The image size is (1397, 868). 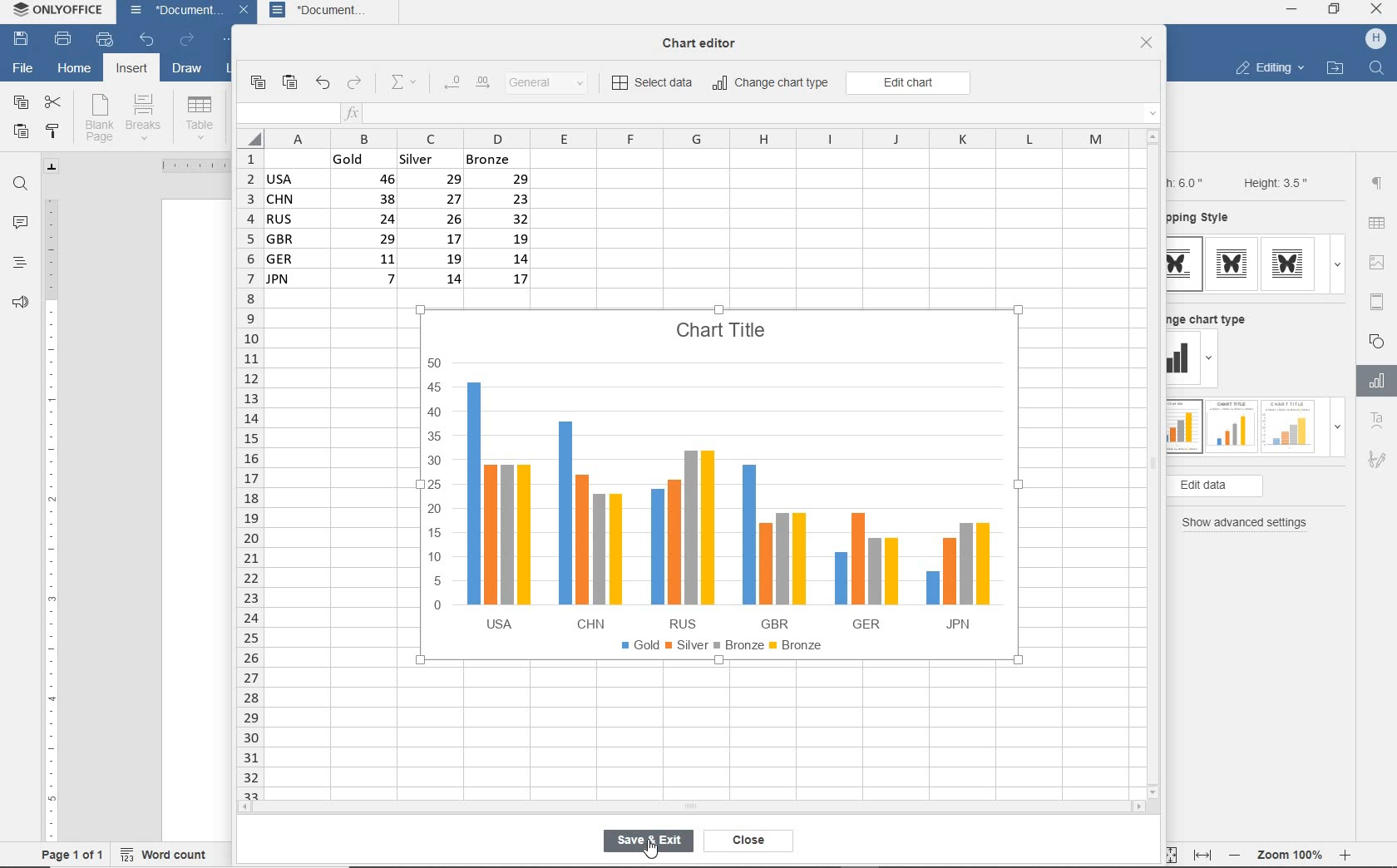 What do you see at coordinates (1154, 791) in the screenshot?
I see `scroll down` at bounding box center [1154, 791].